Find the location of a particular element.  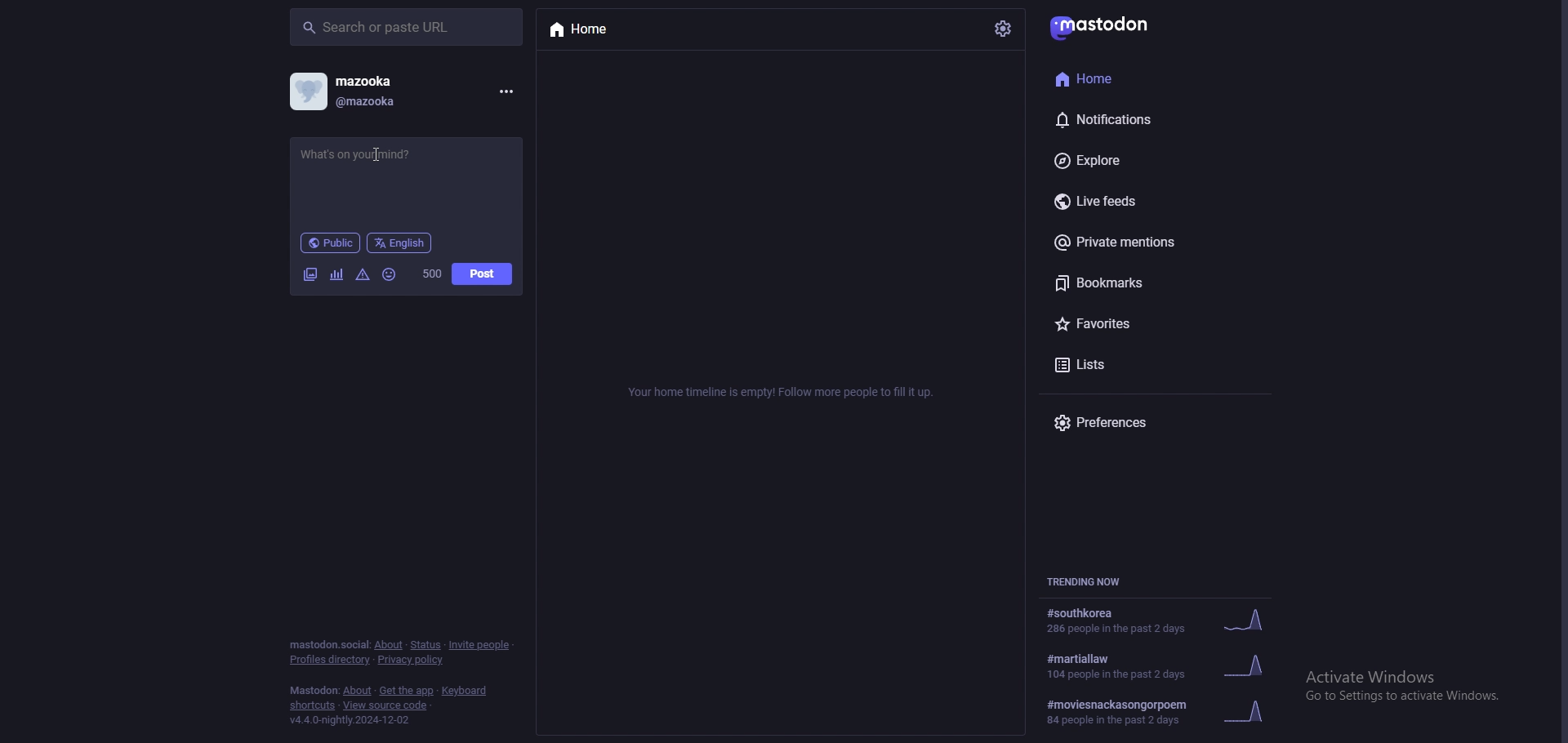

post is located at coordinates (483, 274).